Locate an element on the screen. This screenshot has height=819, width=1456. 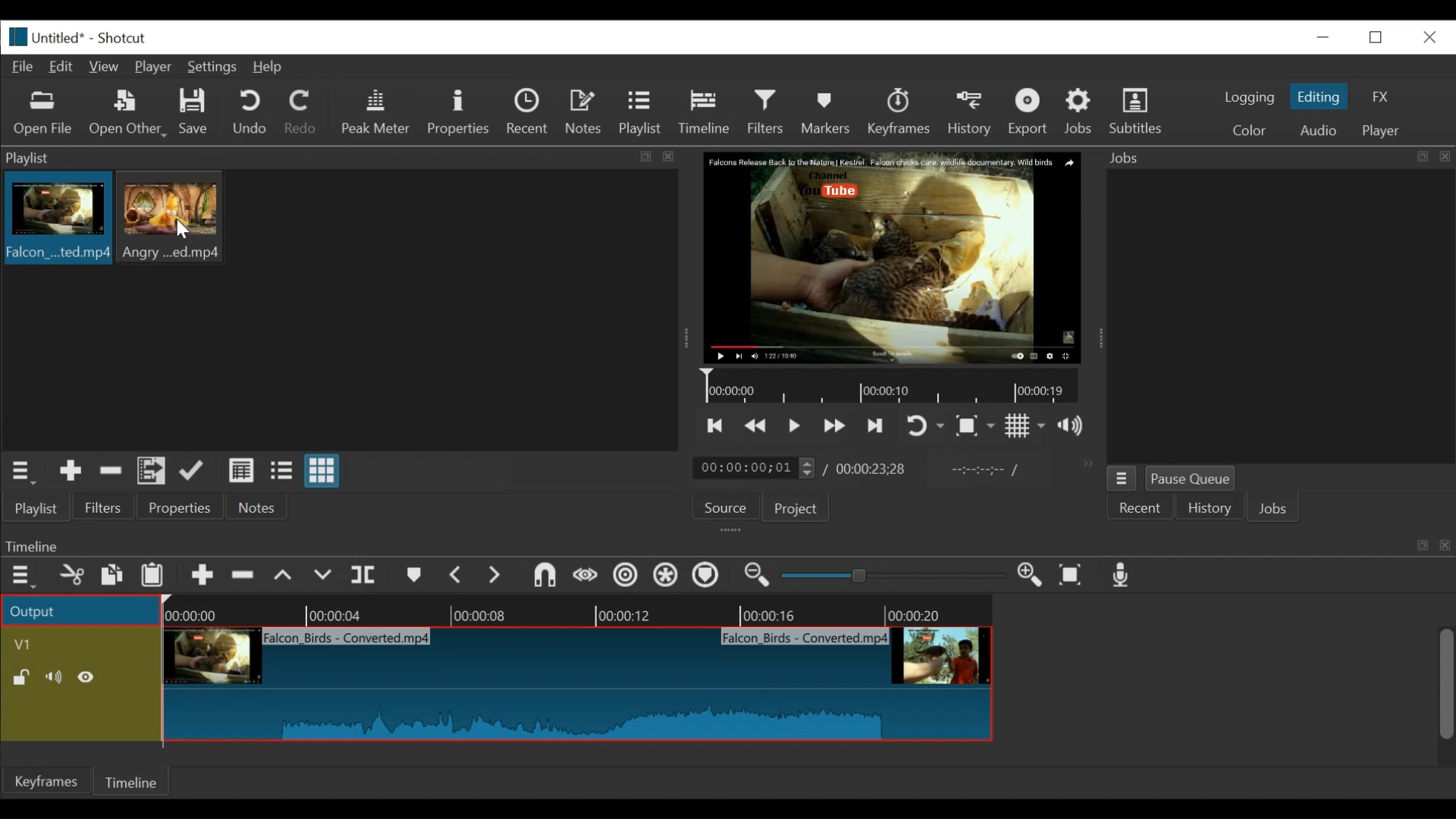
Append is located at coordinates (202, 579).